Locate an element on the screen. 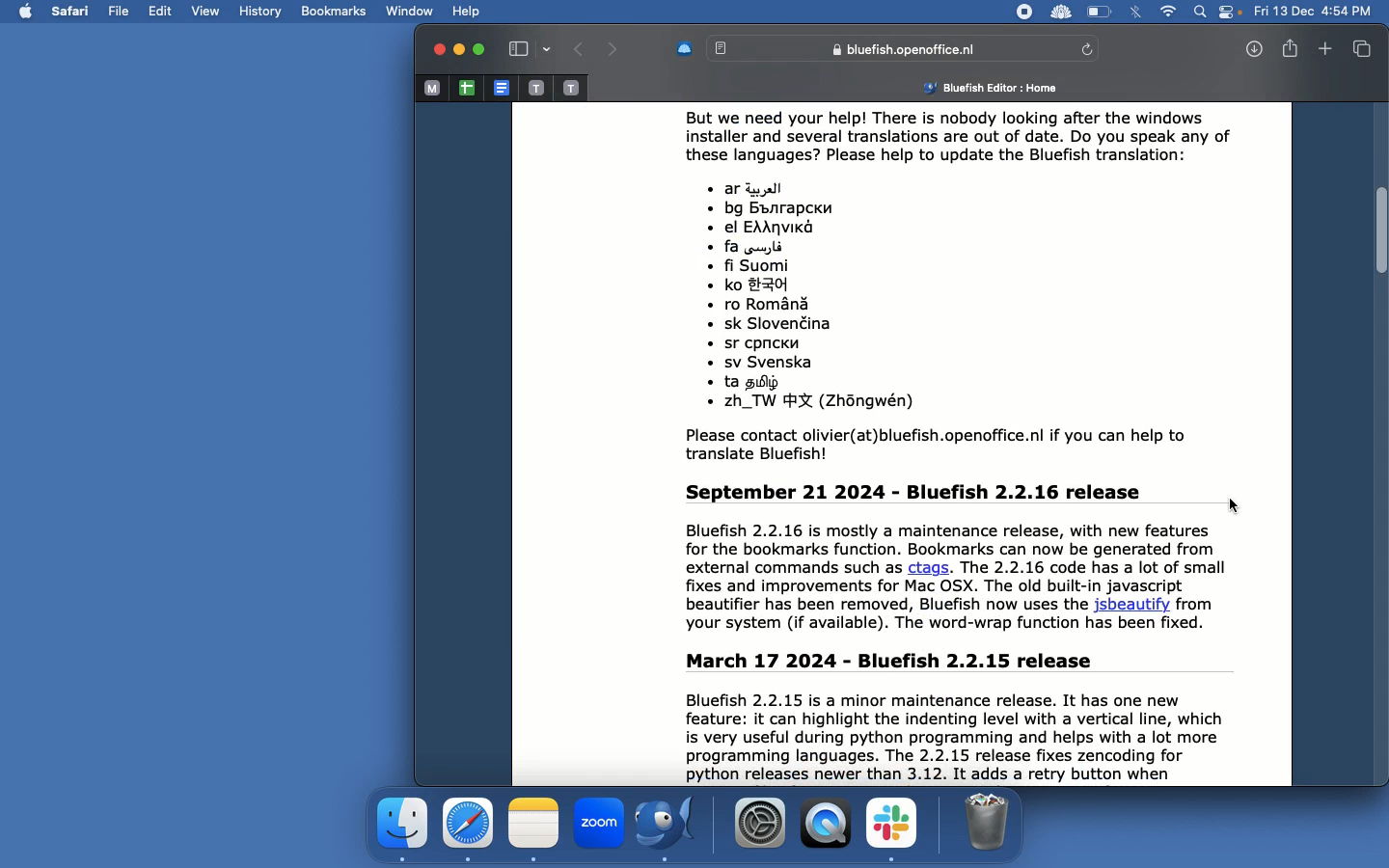  Apple logo is located at coordinates (26, 11).